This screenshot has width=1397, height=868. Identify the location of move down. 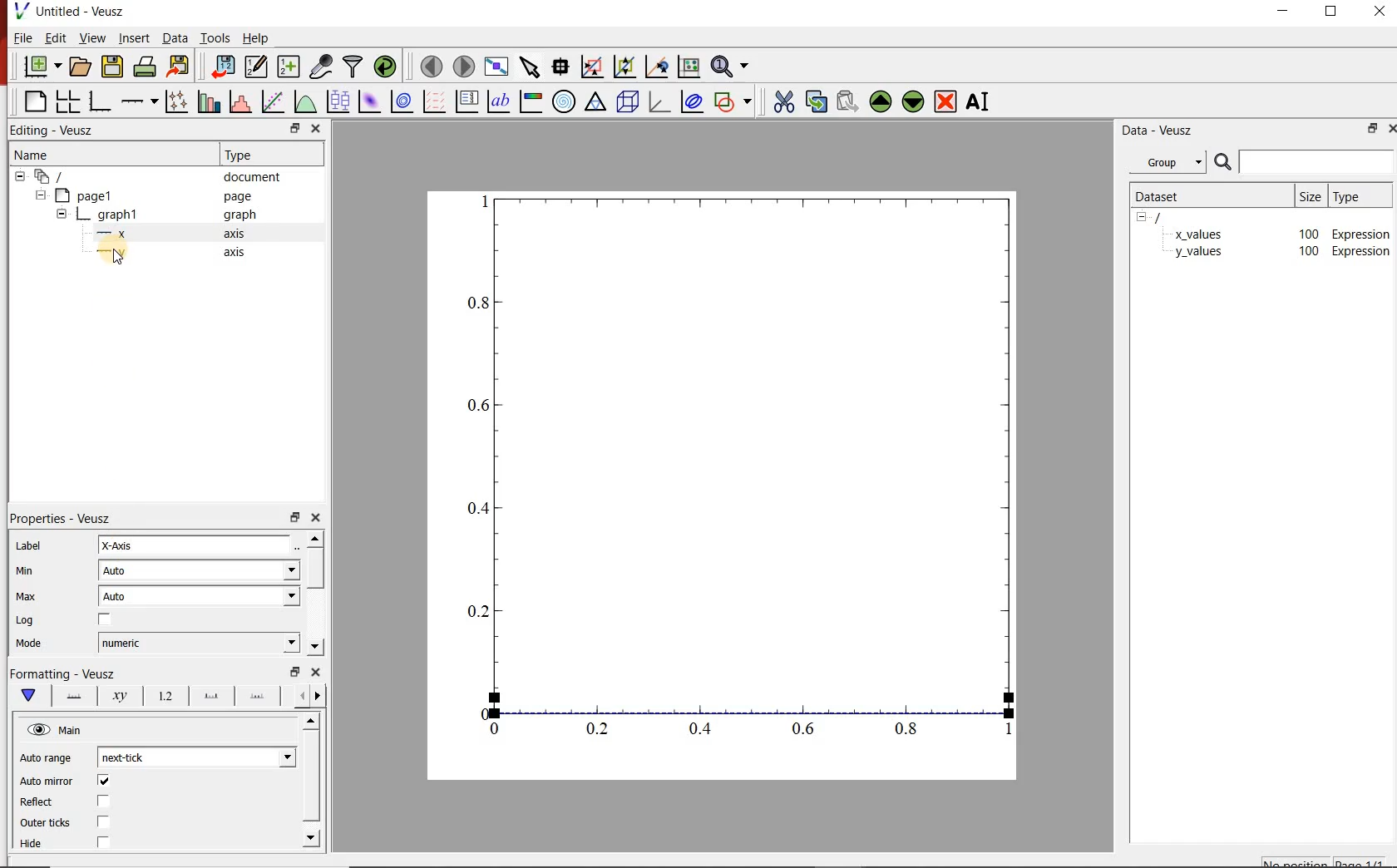
(311, 840).